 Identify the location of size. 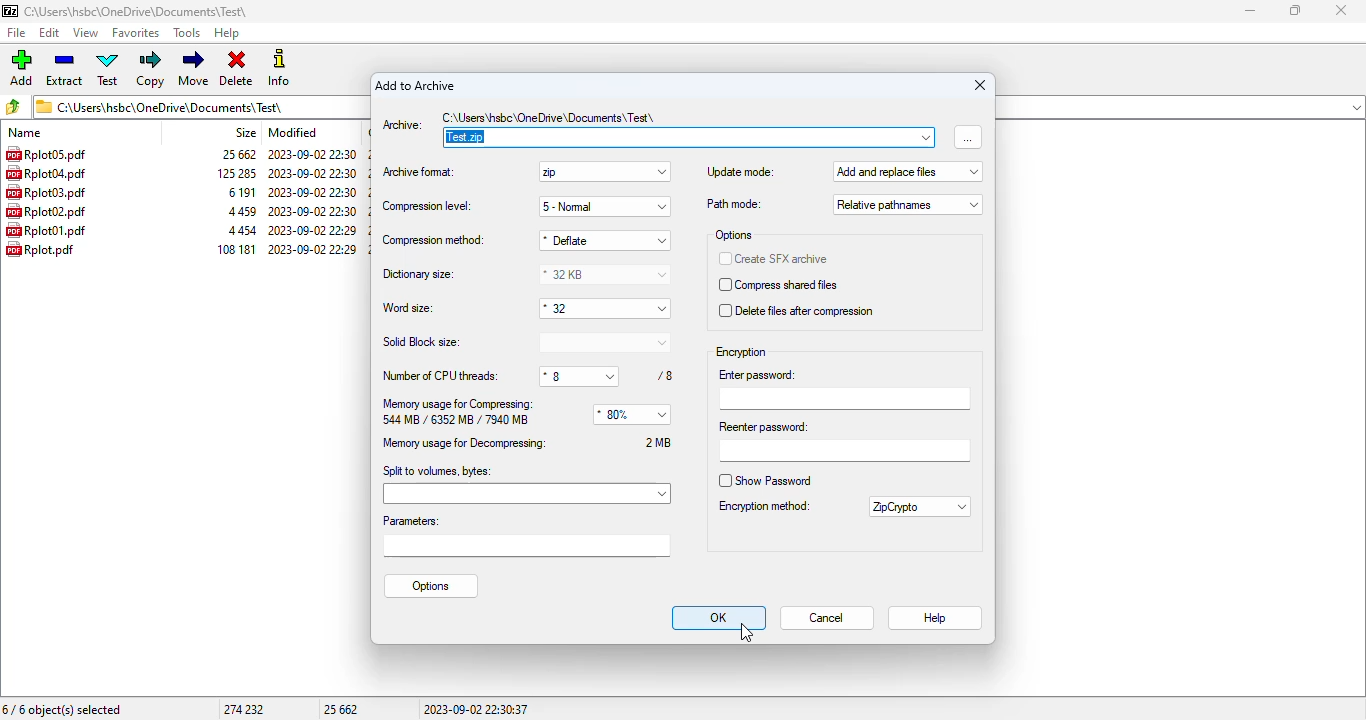
(242, 211).